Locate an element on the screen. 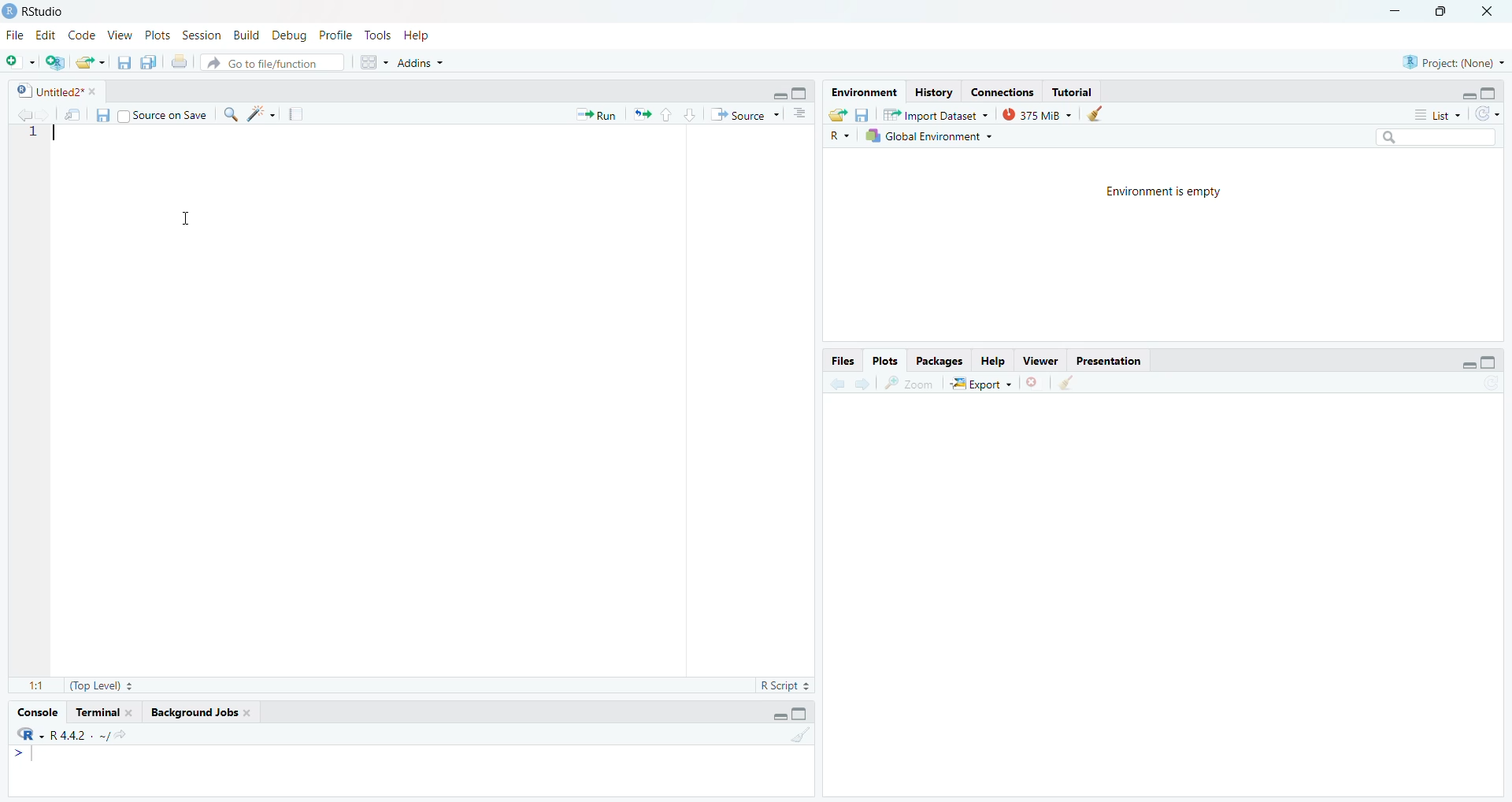 This screenshot has width=1512, height=802. R is located at coordinates (839, 136).